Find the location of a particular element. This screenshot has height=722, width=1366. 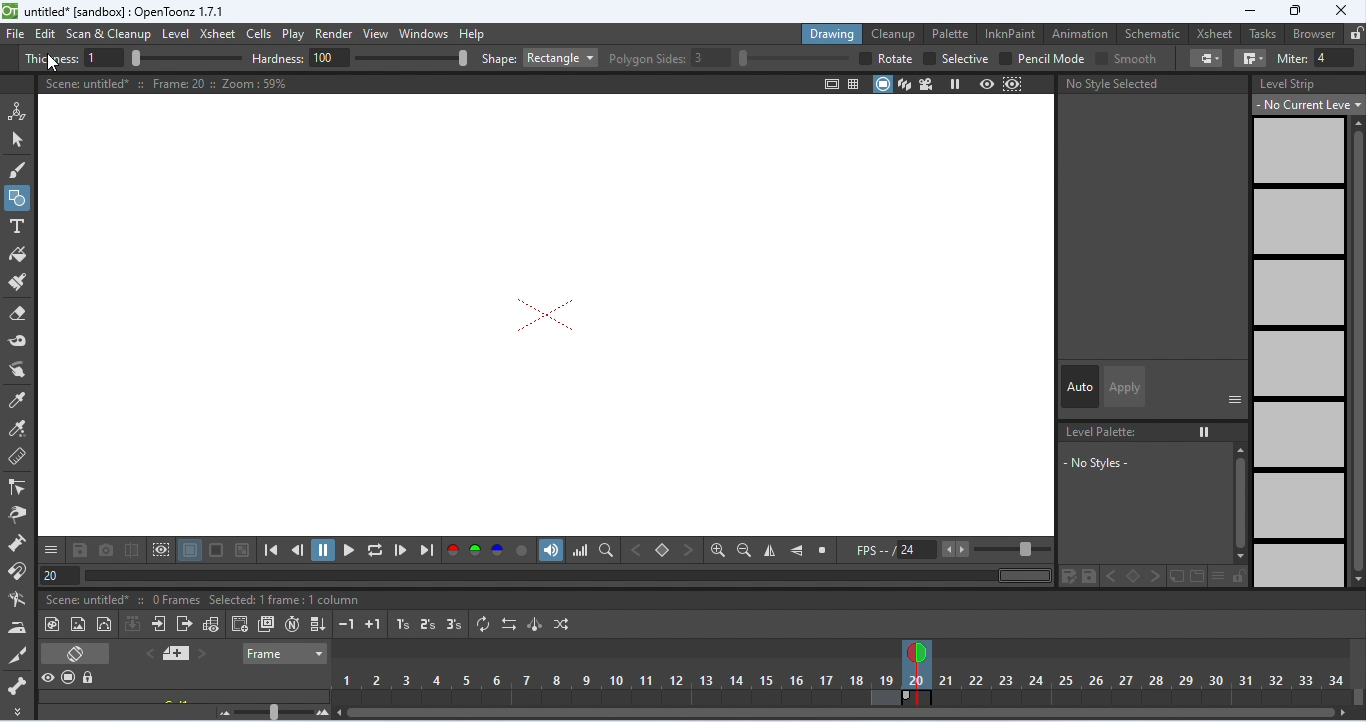

first frame is located at coordinates (270, 551).